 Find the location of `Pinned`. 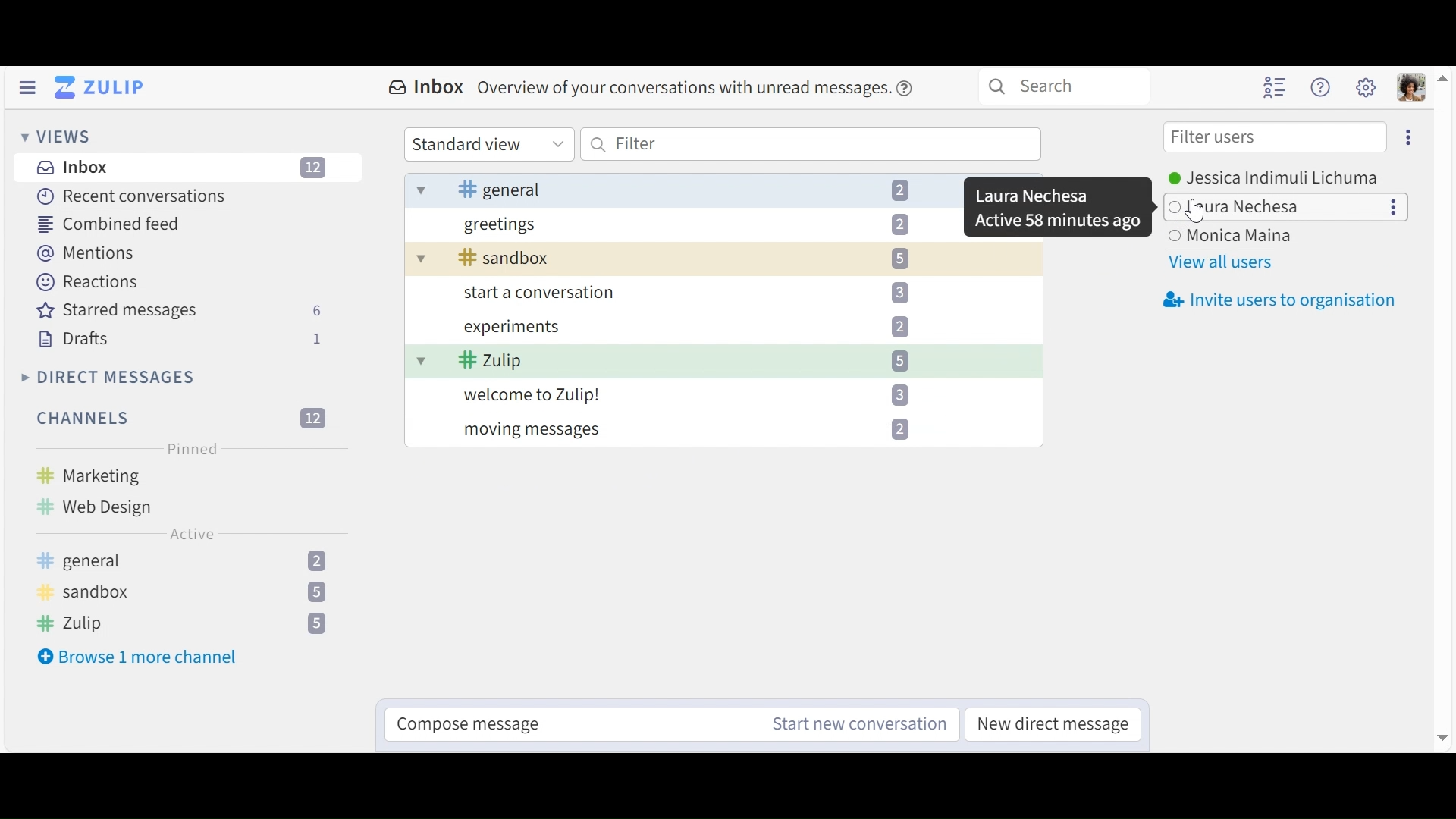

Pinned is located at coordinates (189, 450).